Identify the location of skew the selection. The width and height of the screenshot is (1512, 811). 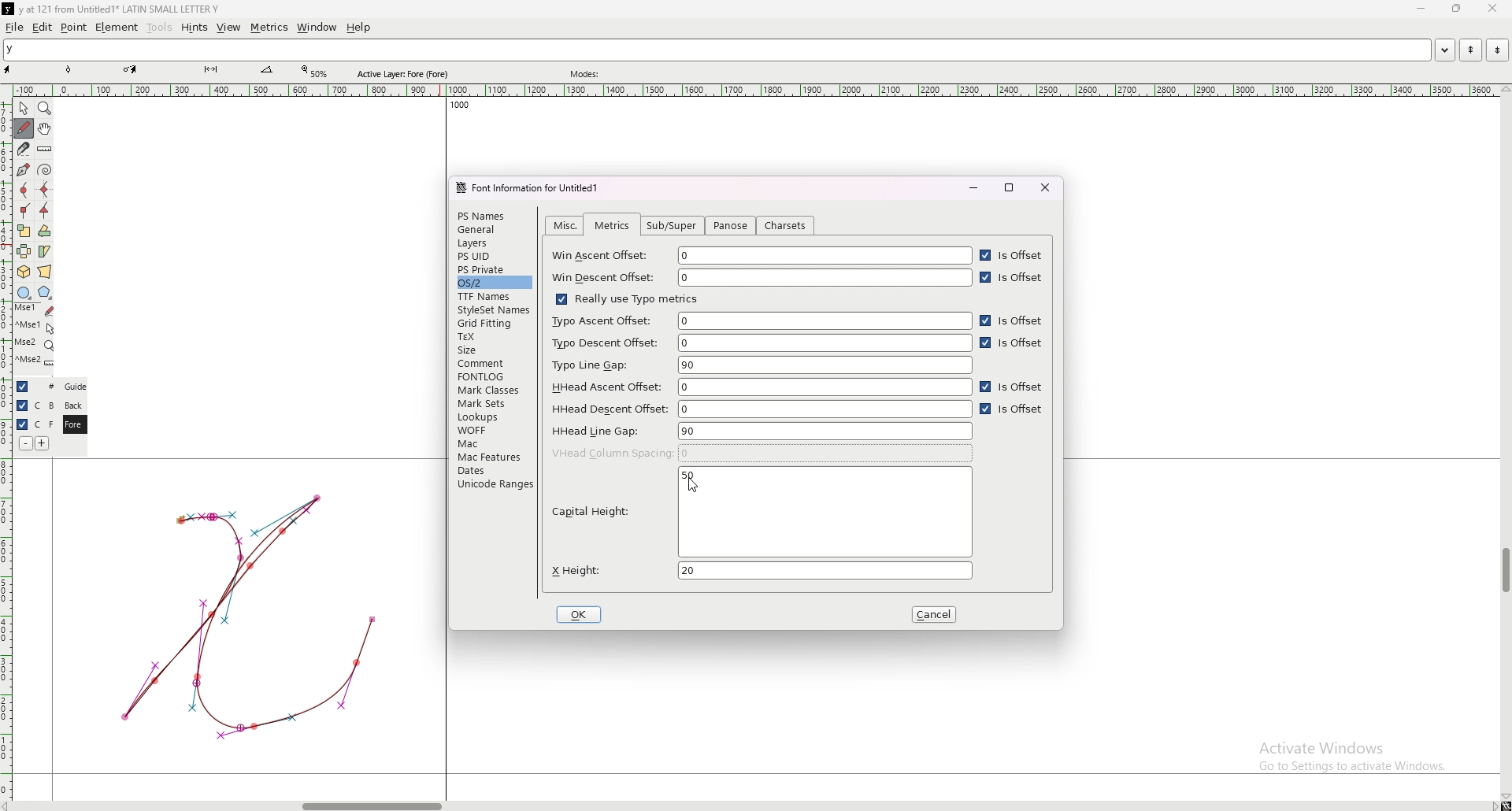
(44, 250).